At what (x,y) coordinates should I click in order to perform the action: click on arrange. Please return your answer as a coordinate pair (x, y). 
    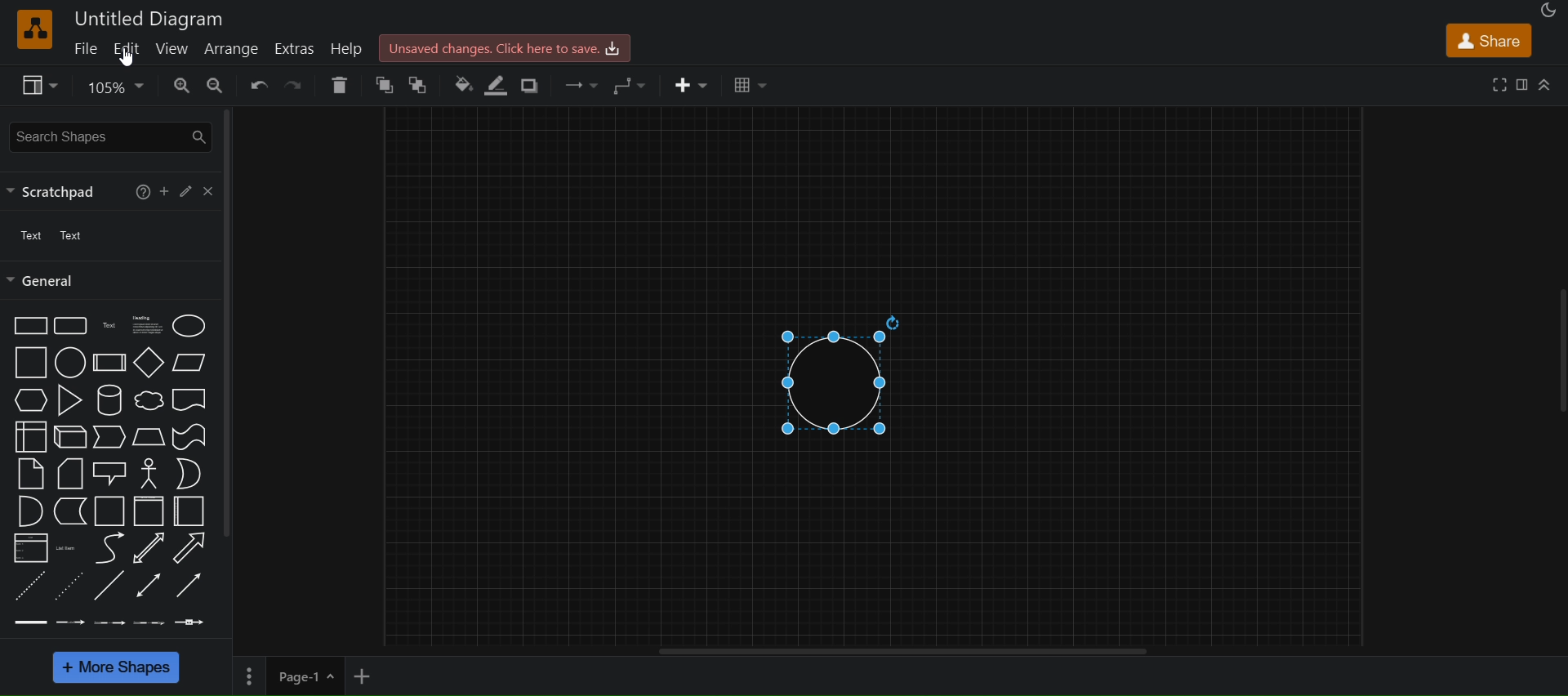
    Looking at the image, I should click on (231, 51).